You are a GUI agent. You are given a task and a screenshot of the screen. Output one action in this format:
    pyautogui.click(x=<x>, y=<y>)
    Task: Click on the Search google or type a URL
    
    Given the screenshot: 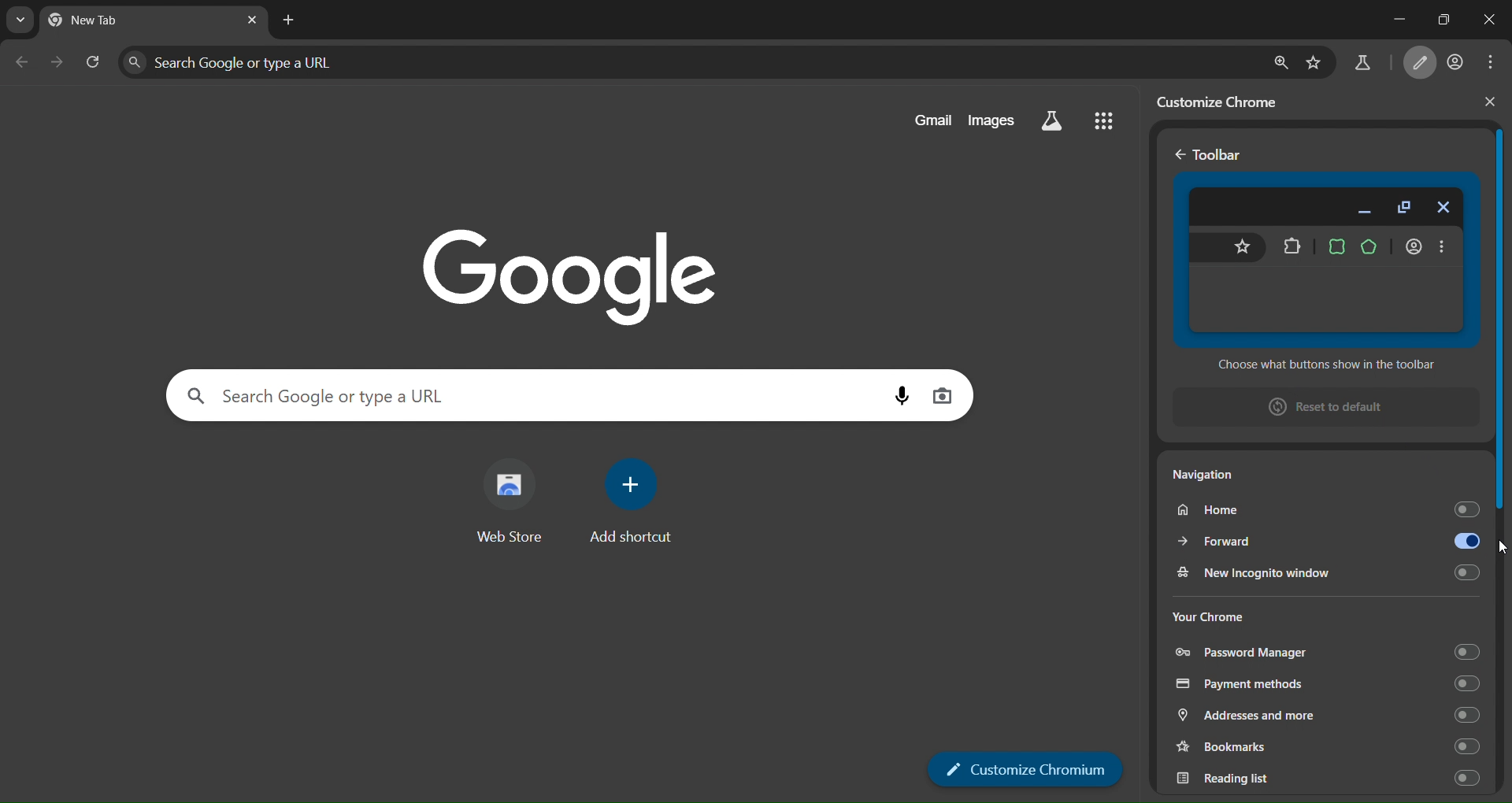 What is the action you would take?
    pyautogui.click(x=689, y=60)
    